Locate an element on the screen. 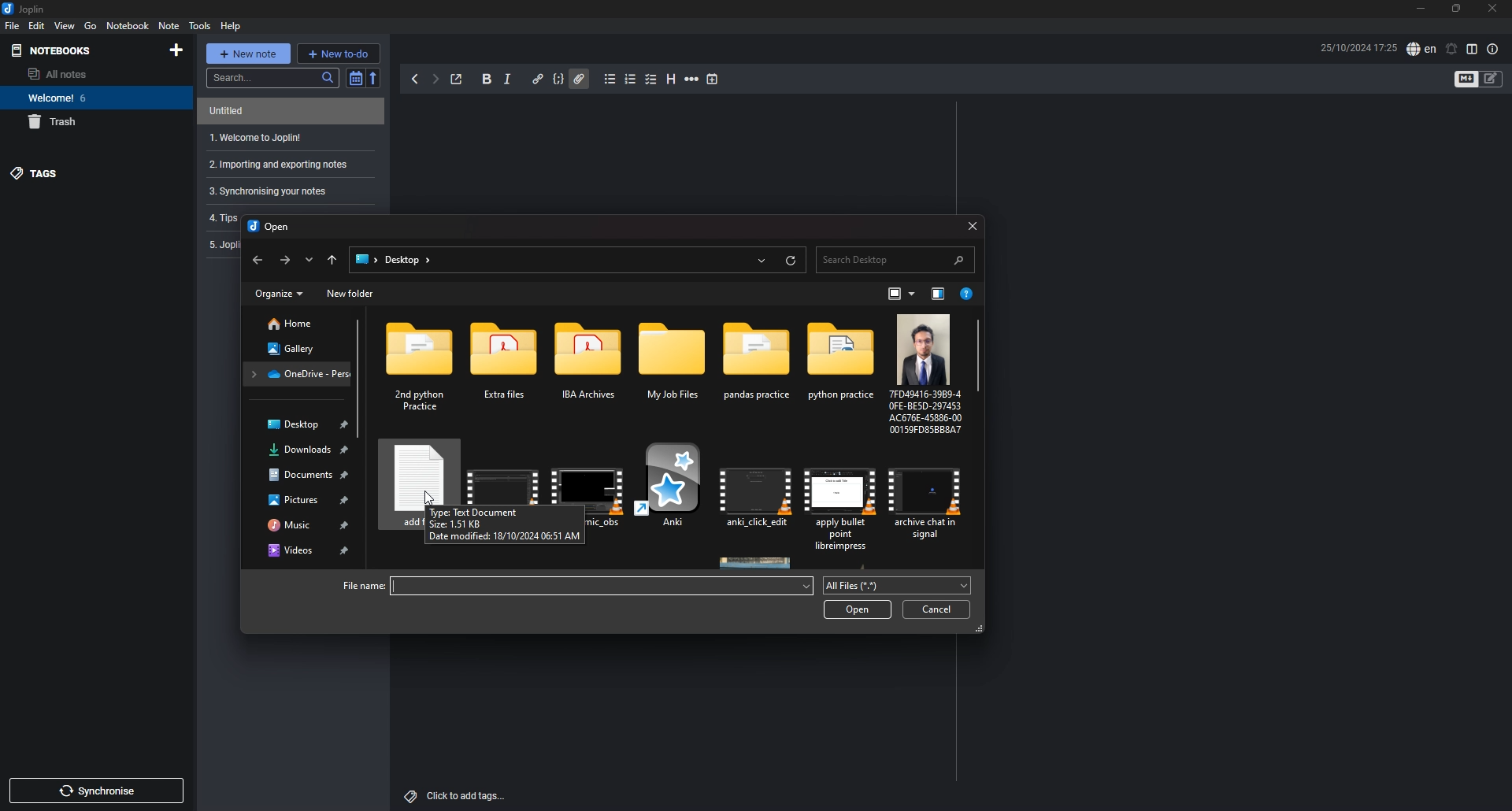  help is located at coordinates (231, 26).